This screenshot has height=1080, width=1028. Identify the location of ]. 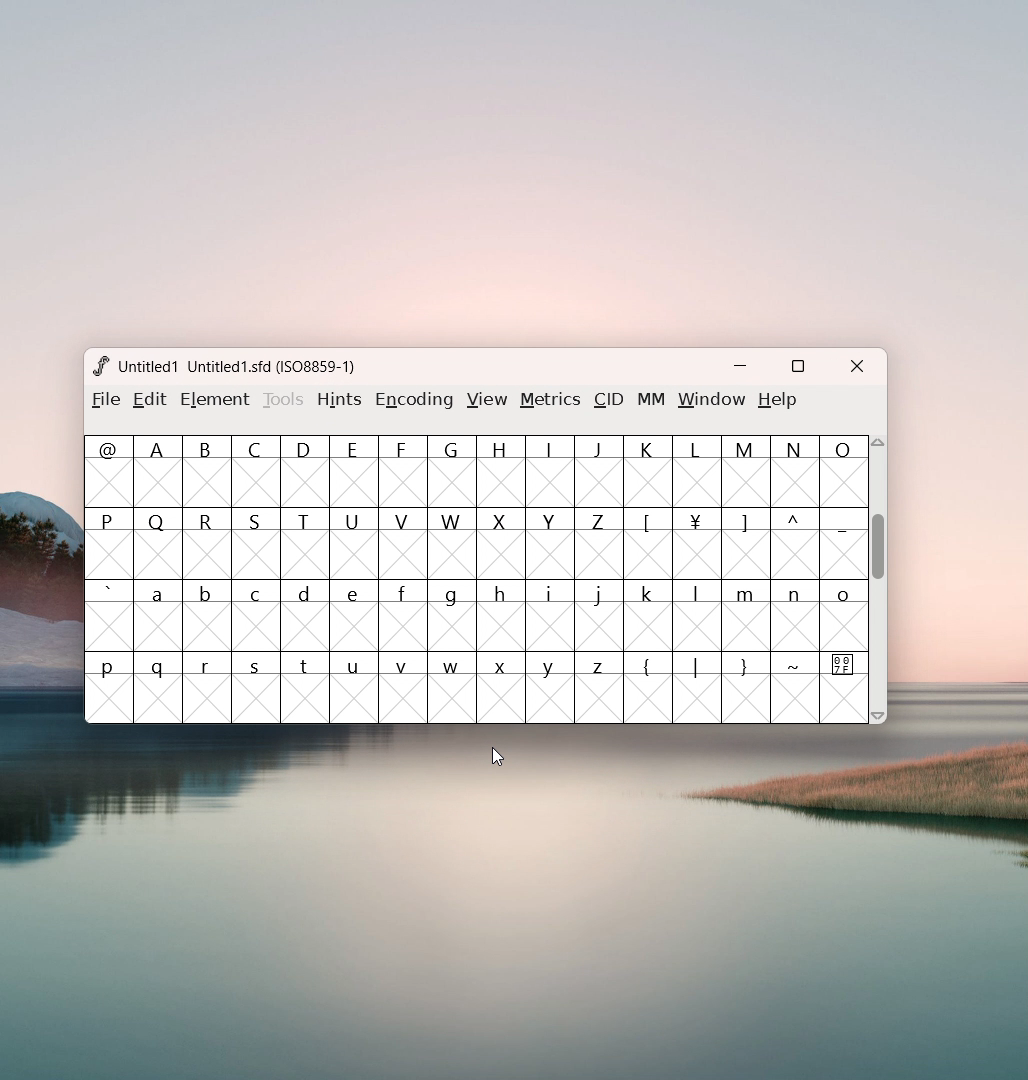
(748, 544).